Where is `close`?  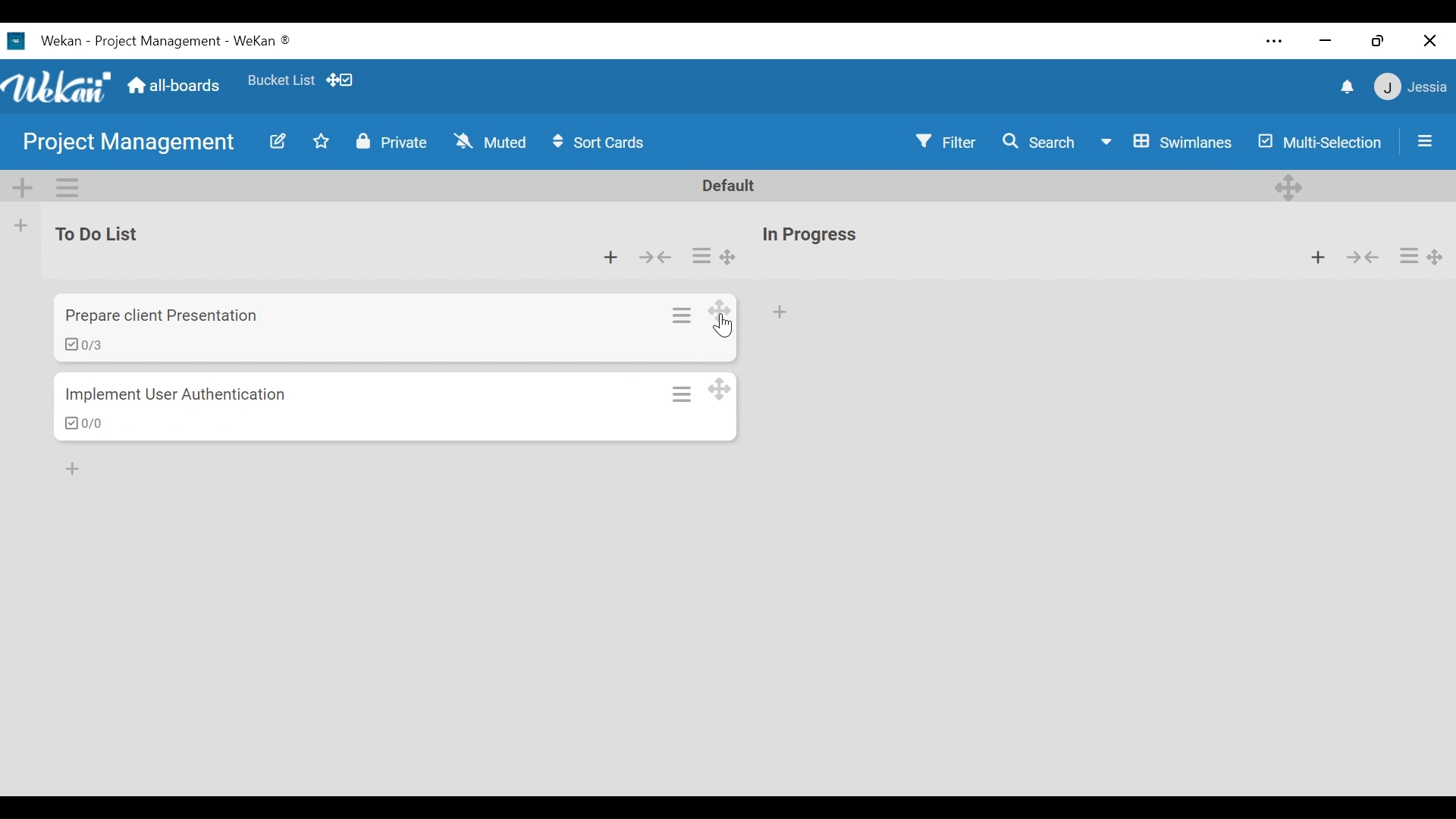 close is located at coordinates (1429, 41).